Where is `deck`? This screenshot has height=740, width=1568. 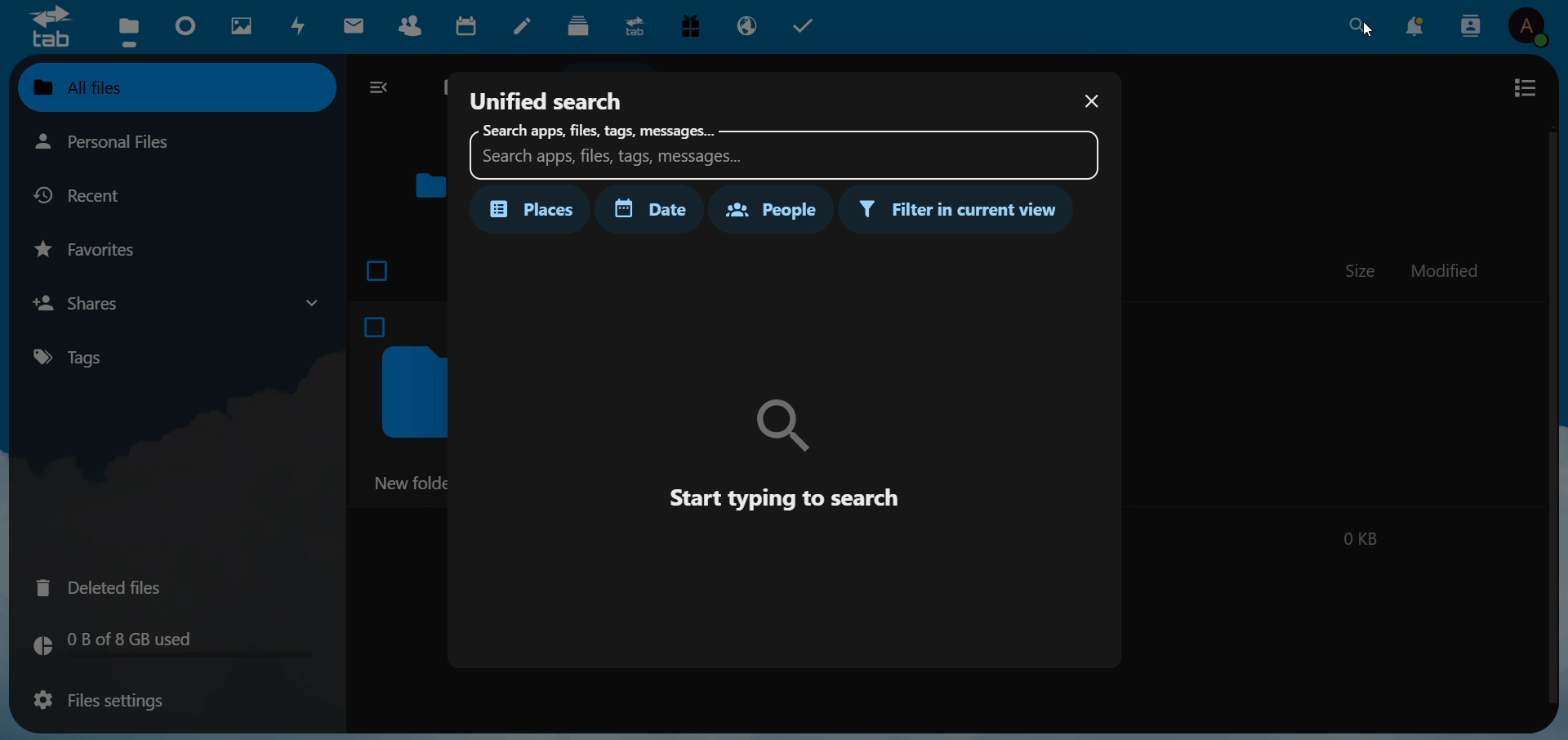
deck is located at coordinates (578, 26).